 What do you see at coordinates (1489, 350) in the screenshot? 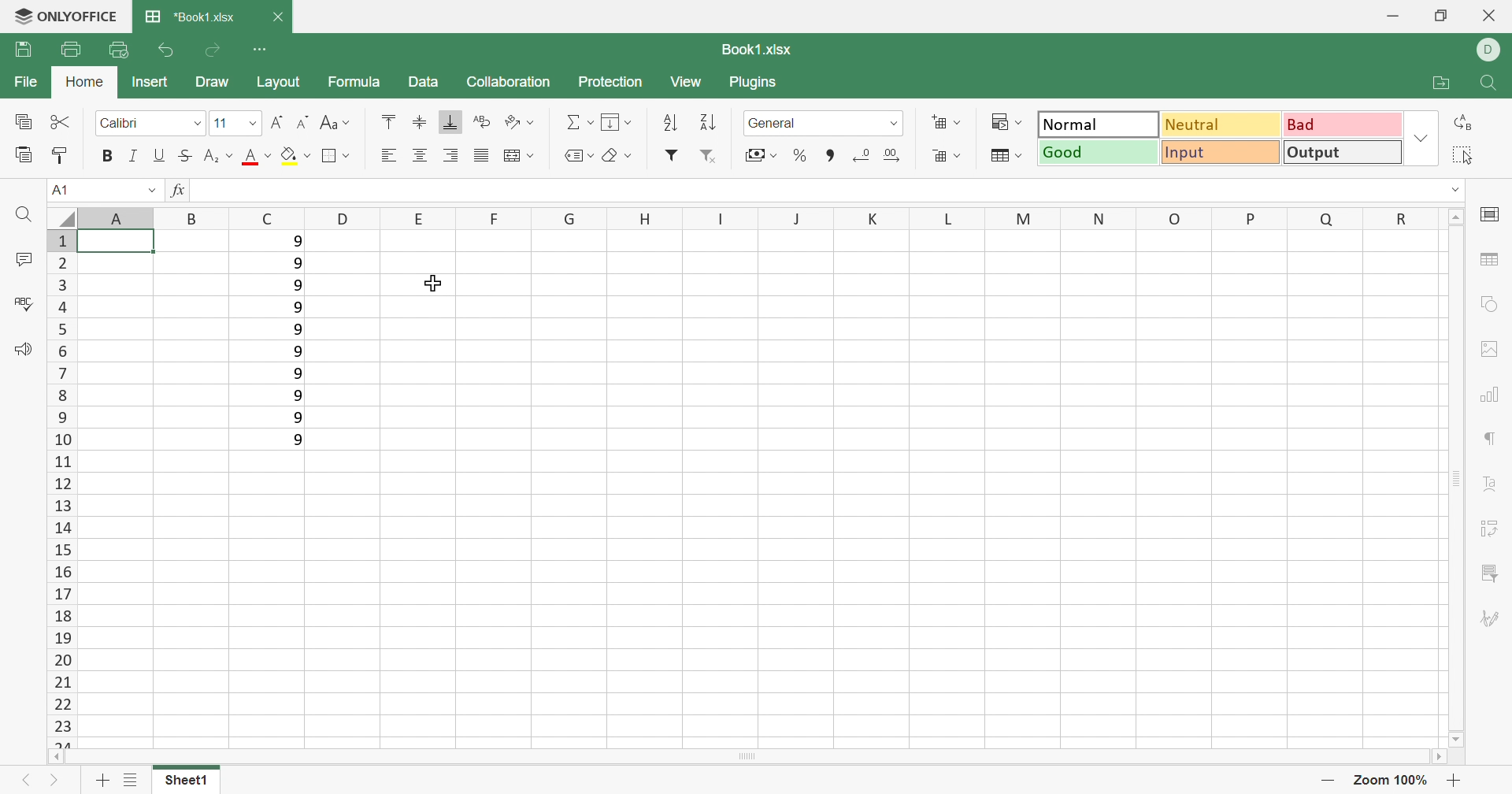
I see `Image settings` at bounding box center [1489, 350].